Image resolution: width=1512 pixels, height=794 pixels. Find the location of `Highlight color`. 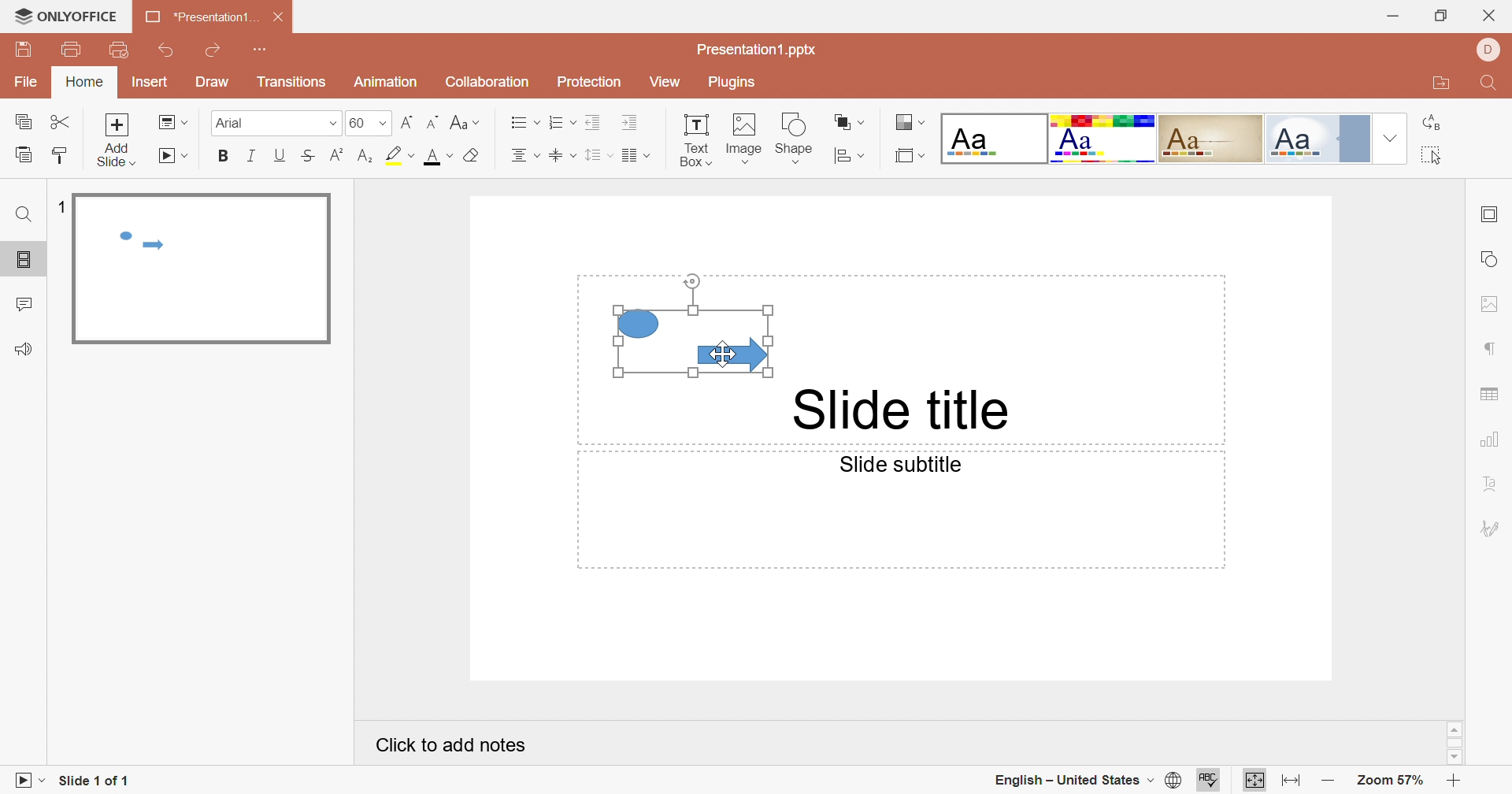

Highlight color is located at coordinates (402, 156).